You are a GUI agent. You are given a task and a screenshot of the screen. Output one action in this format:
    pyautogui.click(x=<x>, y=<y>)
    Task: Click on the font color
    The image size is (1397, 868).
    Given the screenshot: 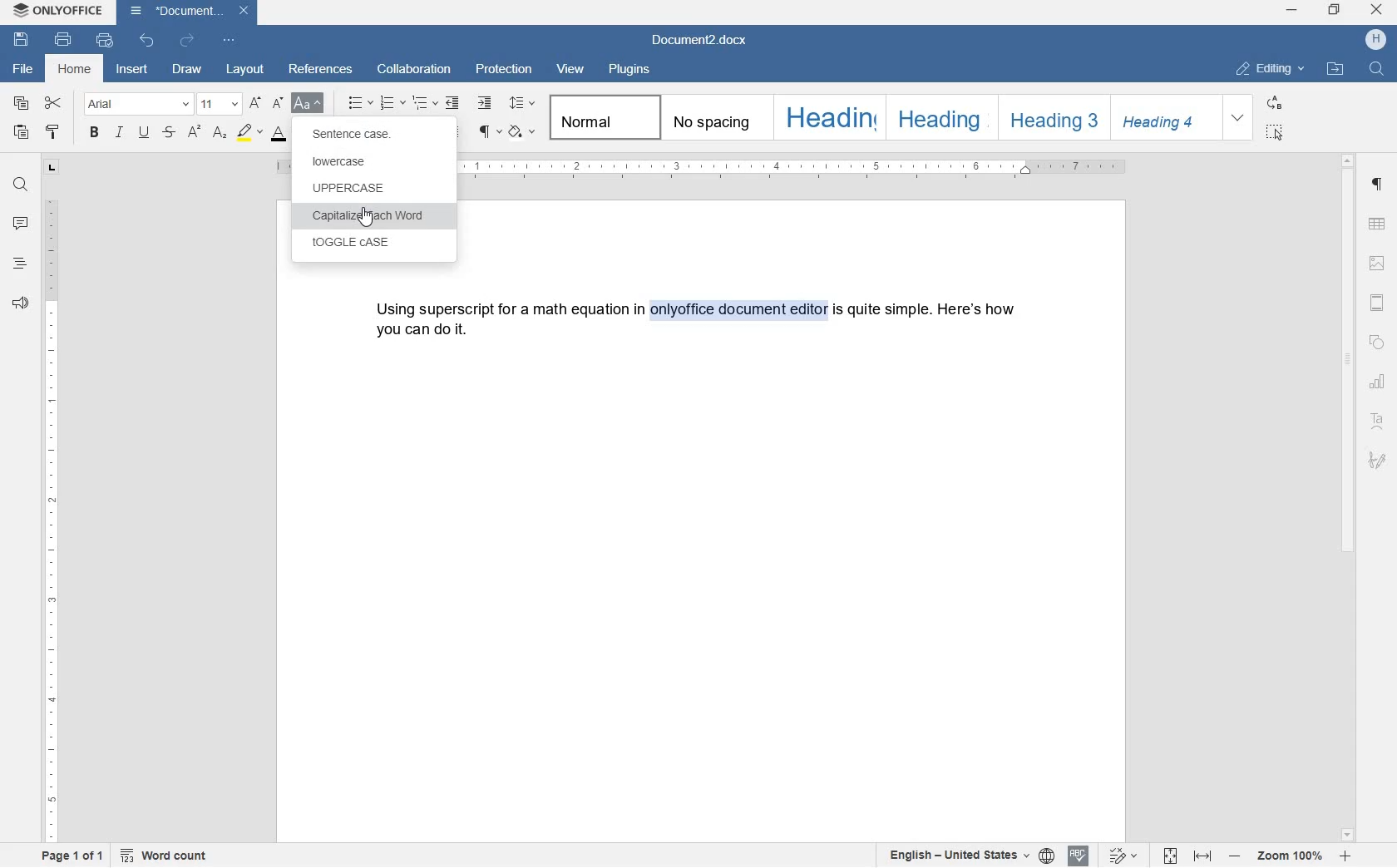 What is the action you would take?
    pyautogui.click(x=284, y=134)
    